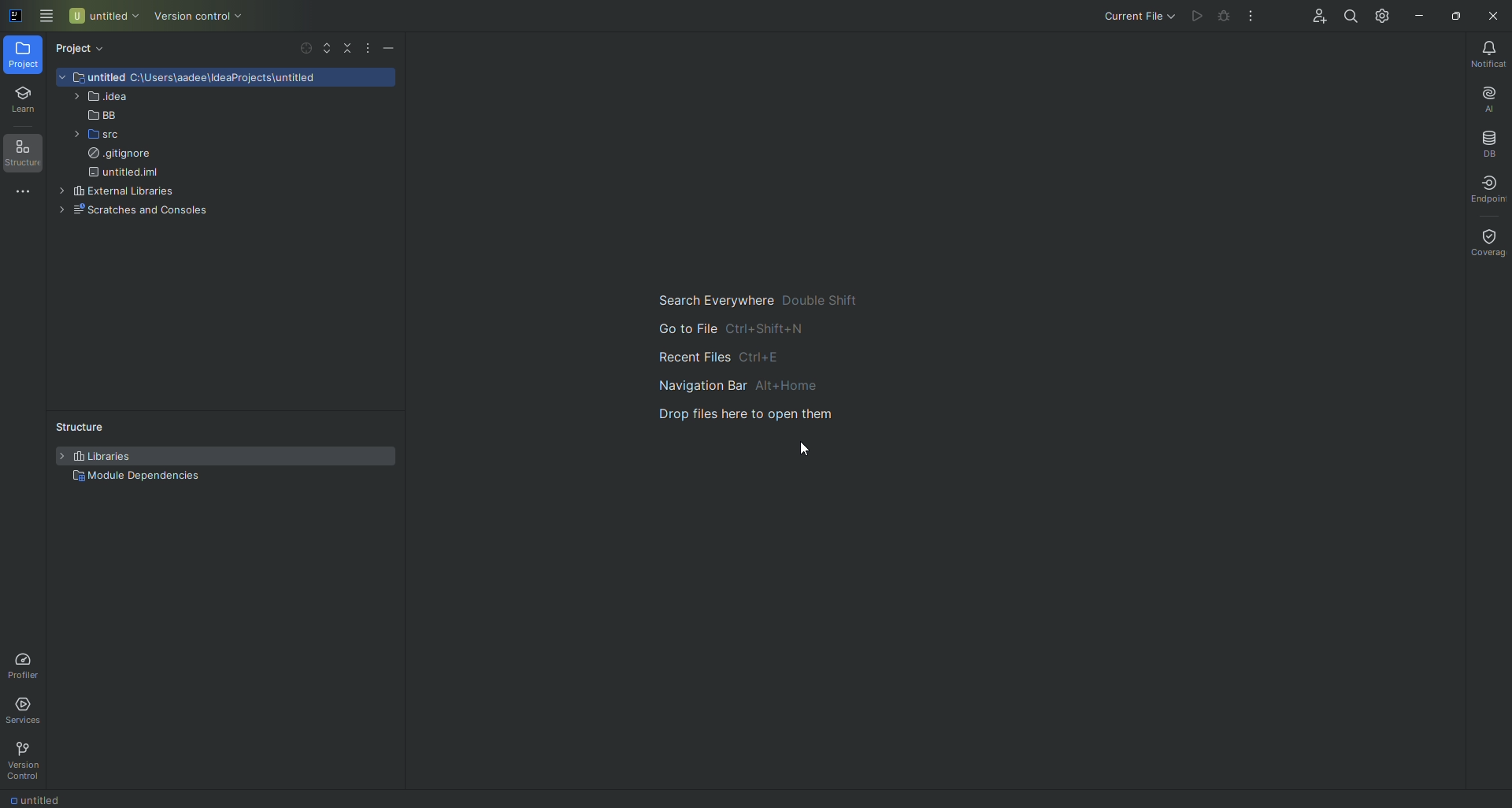 This screenshot has width=1512, height=808. I want to click on Coverage, so click(1488, 240).